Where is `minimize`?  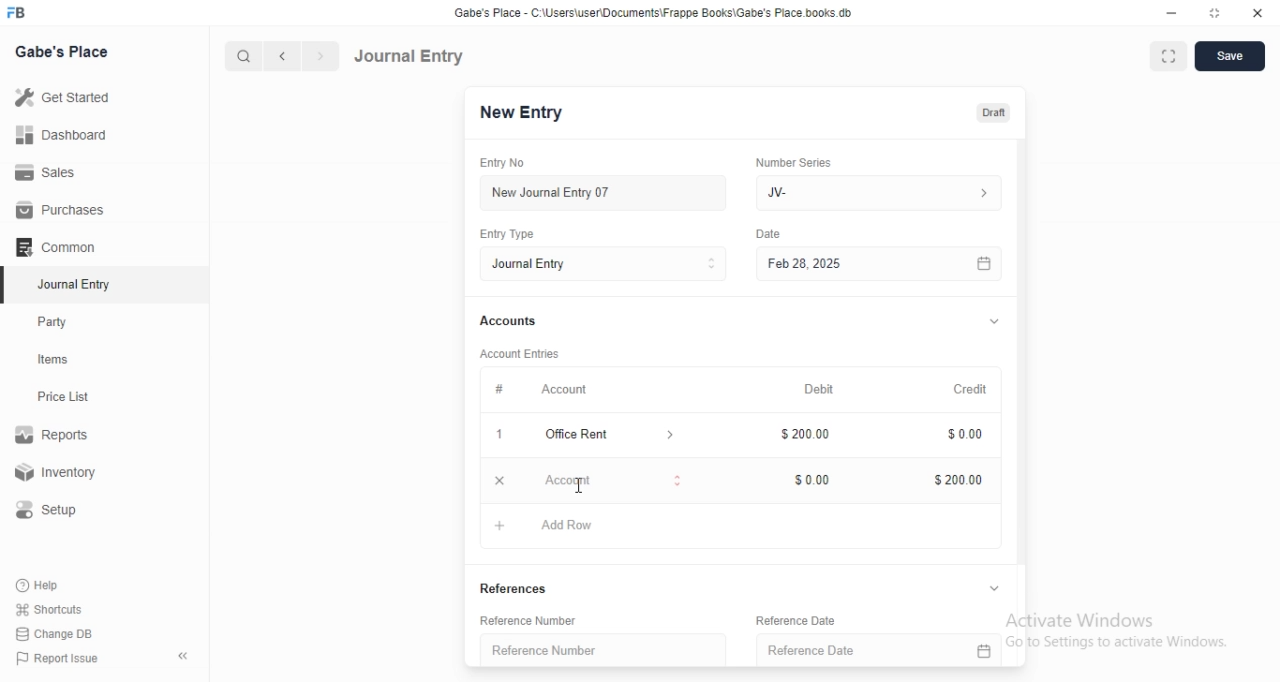
minimize is located at coordinates (1172, 13).